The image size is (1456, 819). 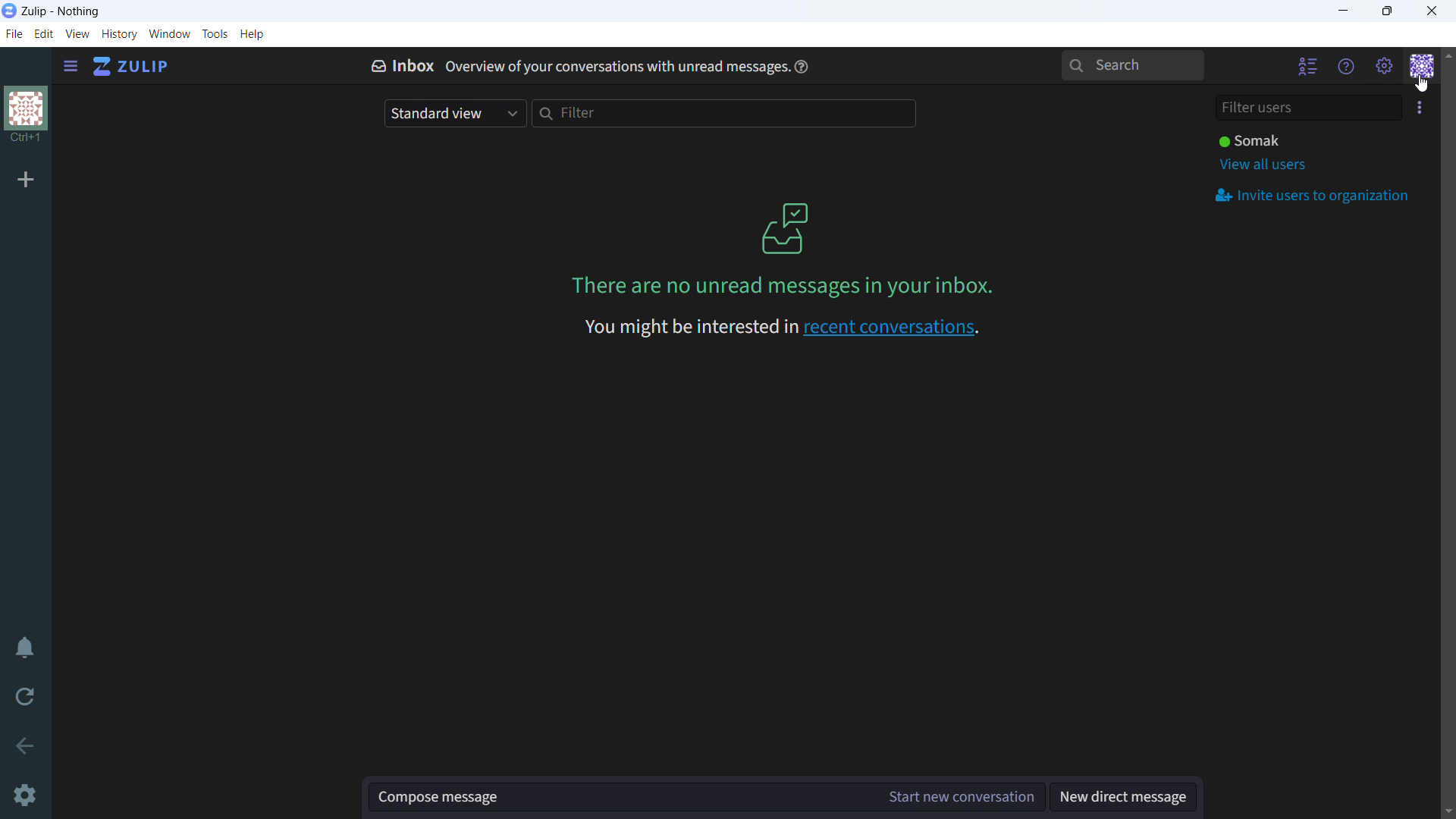 I want to click on settings, so click(x=26, y=795).